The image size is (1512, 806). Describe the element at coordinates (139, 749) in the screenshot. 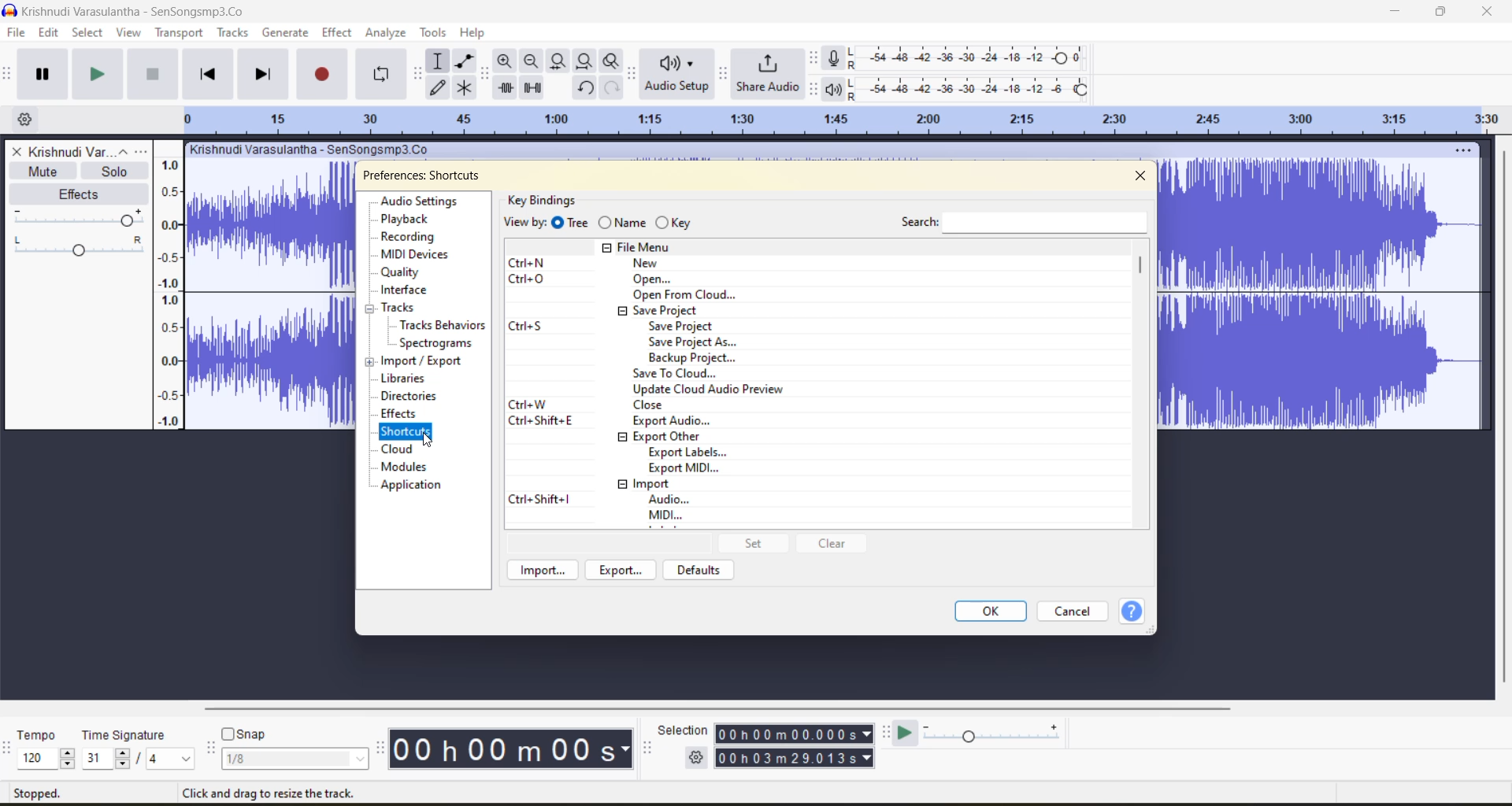

I see `time signature` at that location.